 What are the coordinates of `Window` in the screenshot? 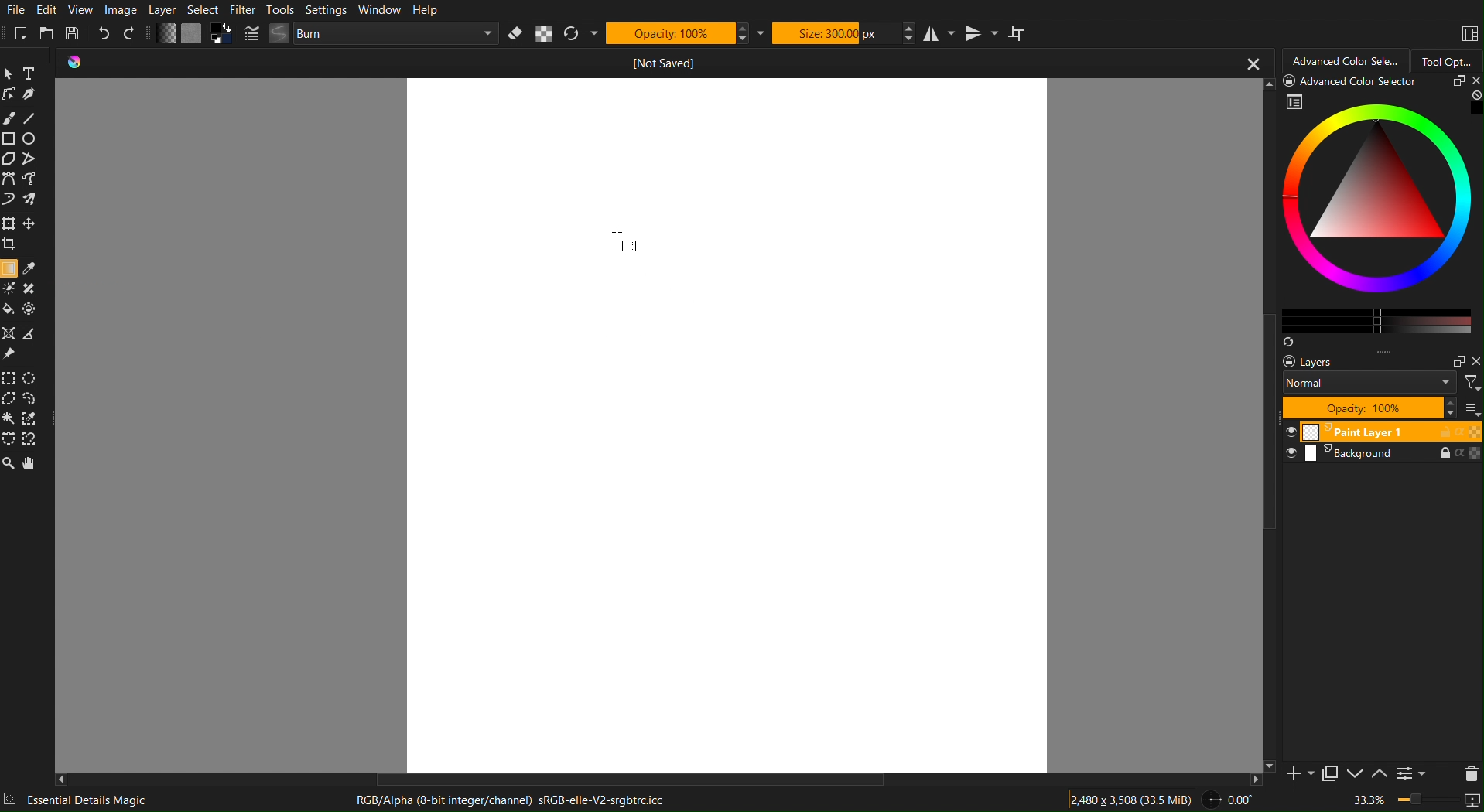 It's located at (377, 11).